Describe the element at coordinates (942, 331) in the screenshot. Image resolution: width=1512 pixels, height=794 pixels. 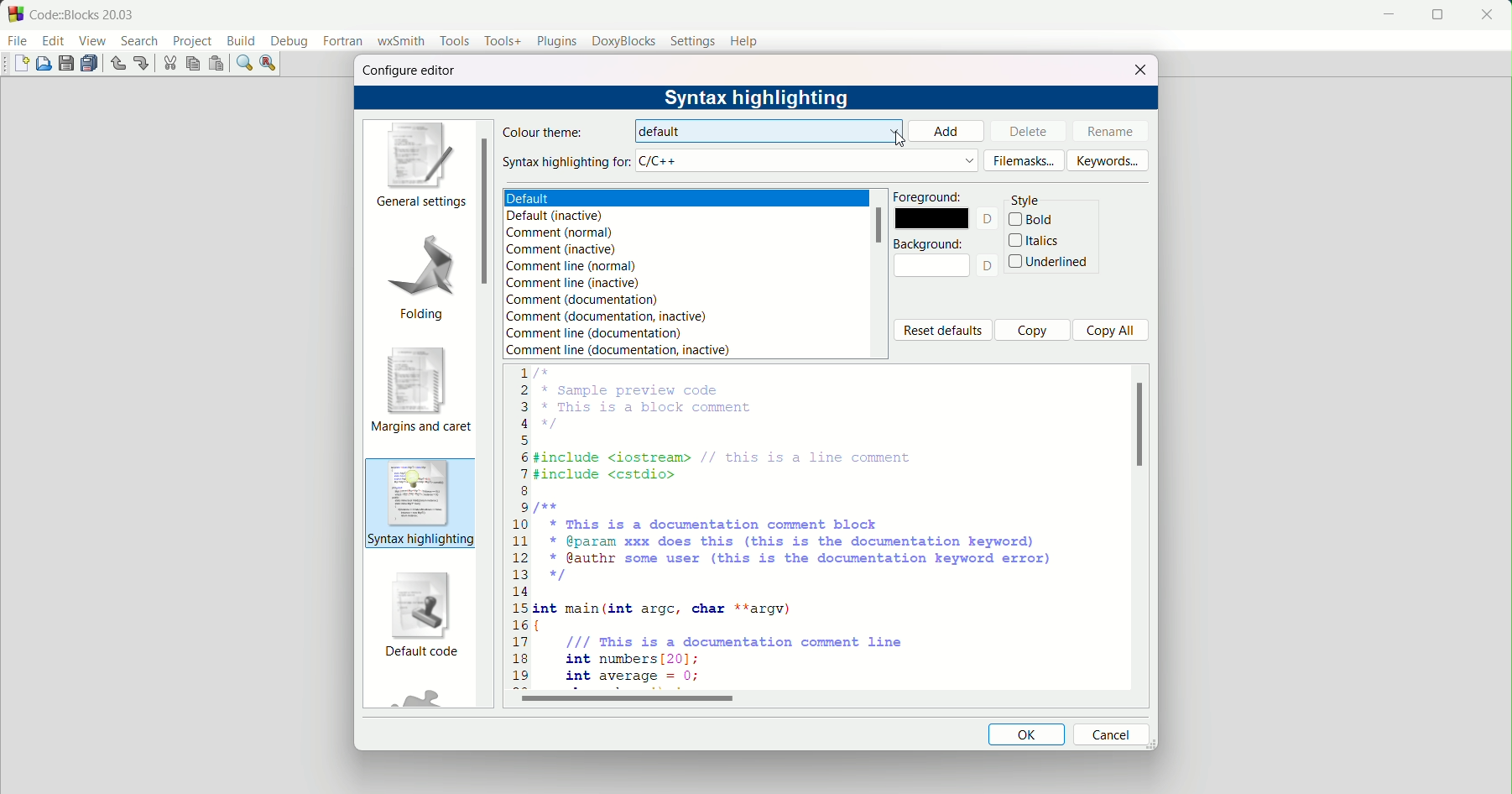
I see `reset defaults` at that location.